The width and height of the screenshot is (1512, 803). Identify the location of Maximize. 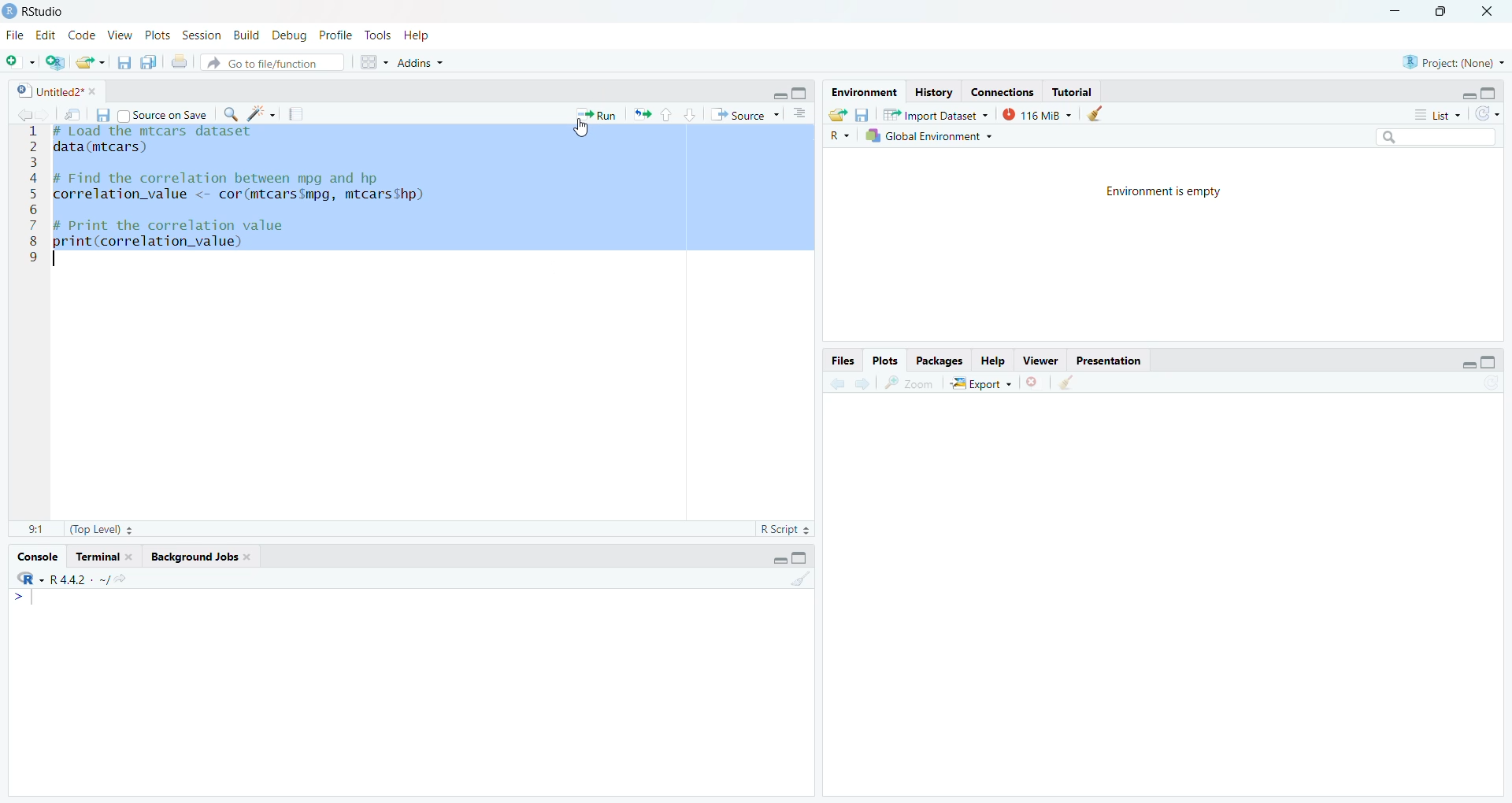
(802, 93).